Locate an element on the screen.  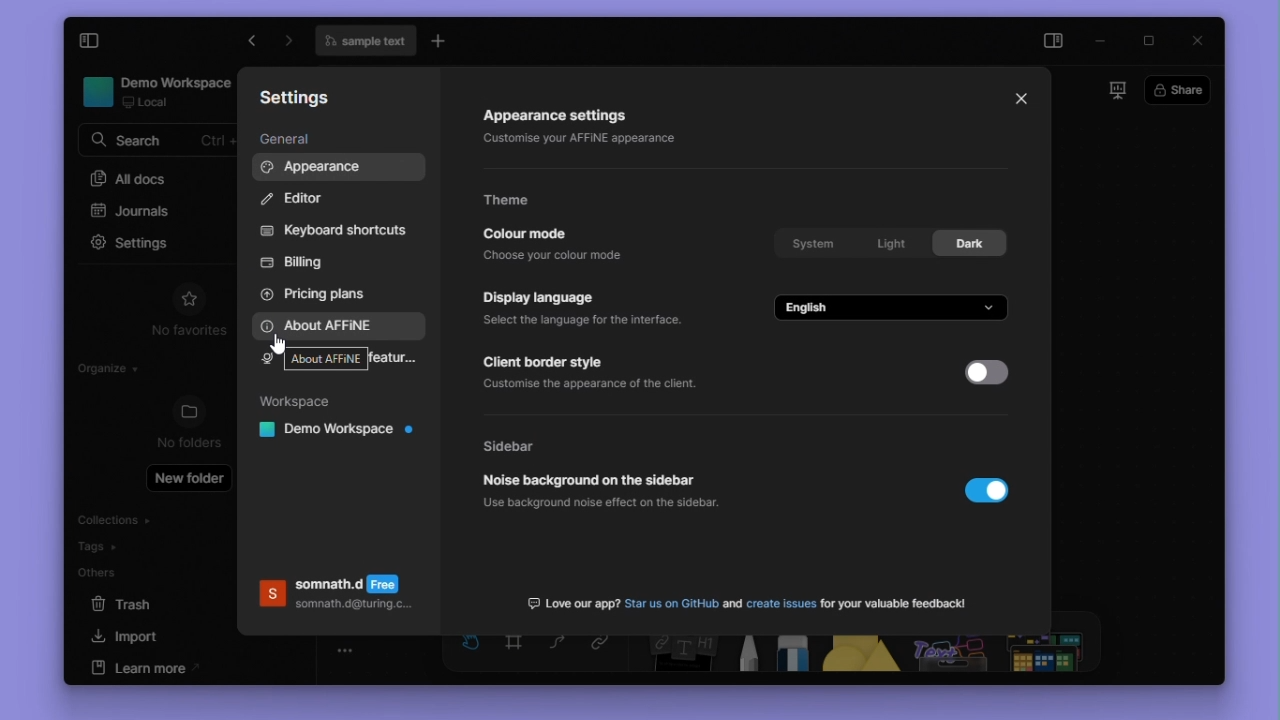
Close is located at coordinates (1021, 96).